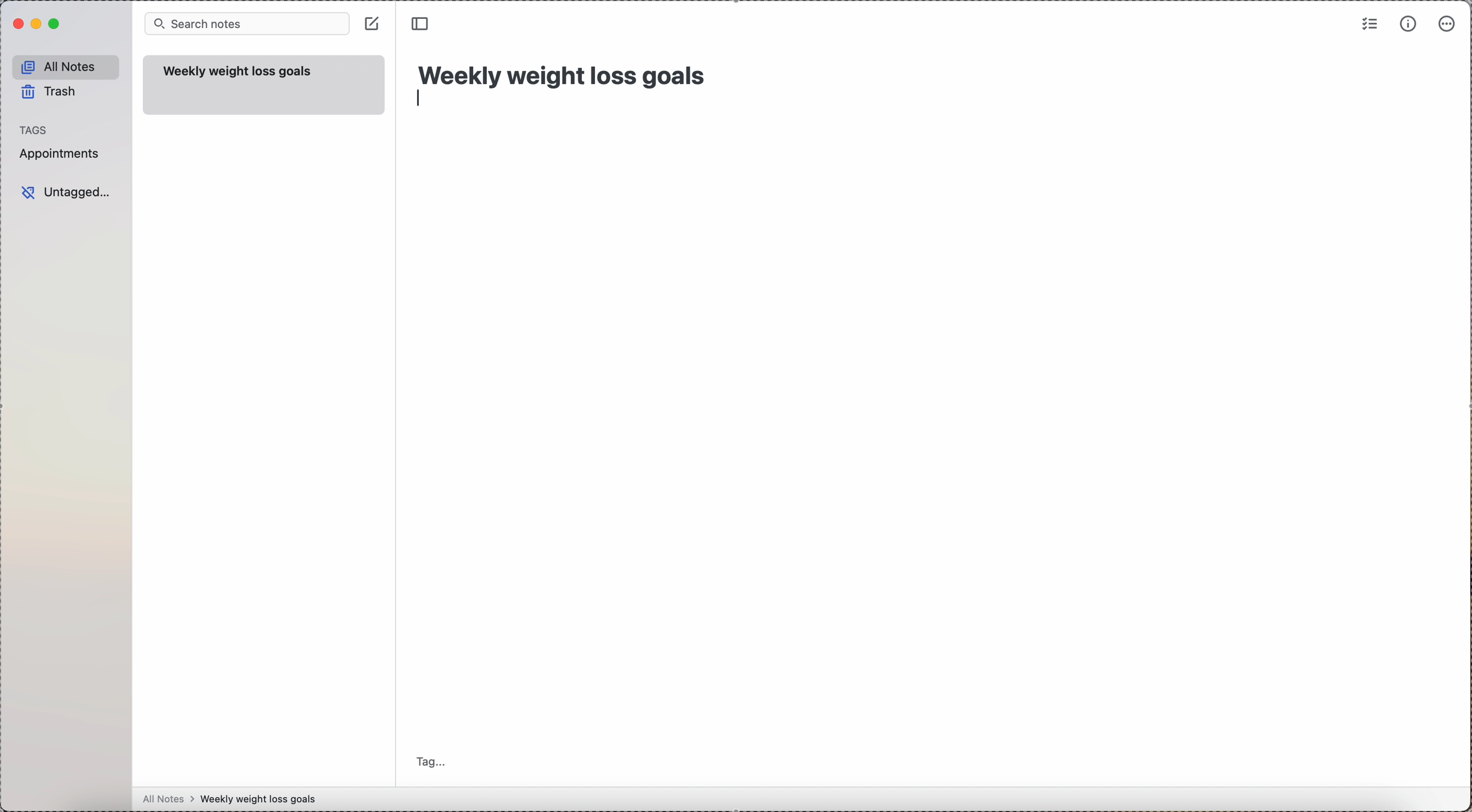 This screenshot has height=812, width=1472. What do you see at coordinates (18, 23) in the screenshot?
I see `close Simplenote` at bounding box center [18, 23].